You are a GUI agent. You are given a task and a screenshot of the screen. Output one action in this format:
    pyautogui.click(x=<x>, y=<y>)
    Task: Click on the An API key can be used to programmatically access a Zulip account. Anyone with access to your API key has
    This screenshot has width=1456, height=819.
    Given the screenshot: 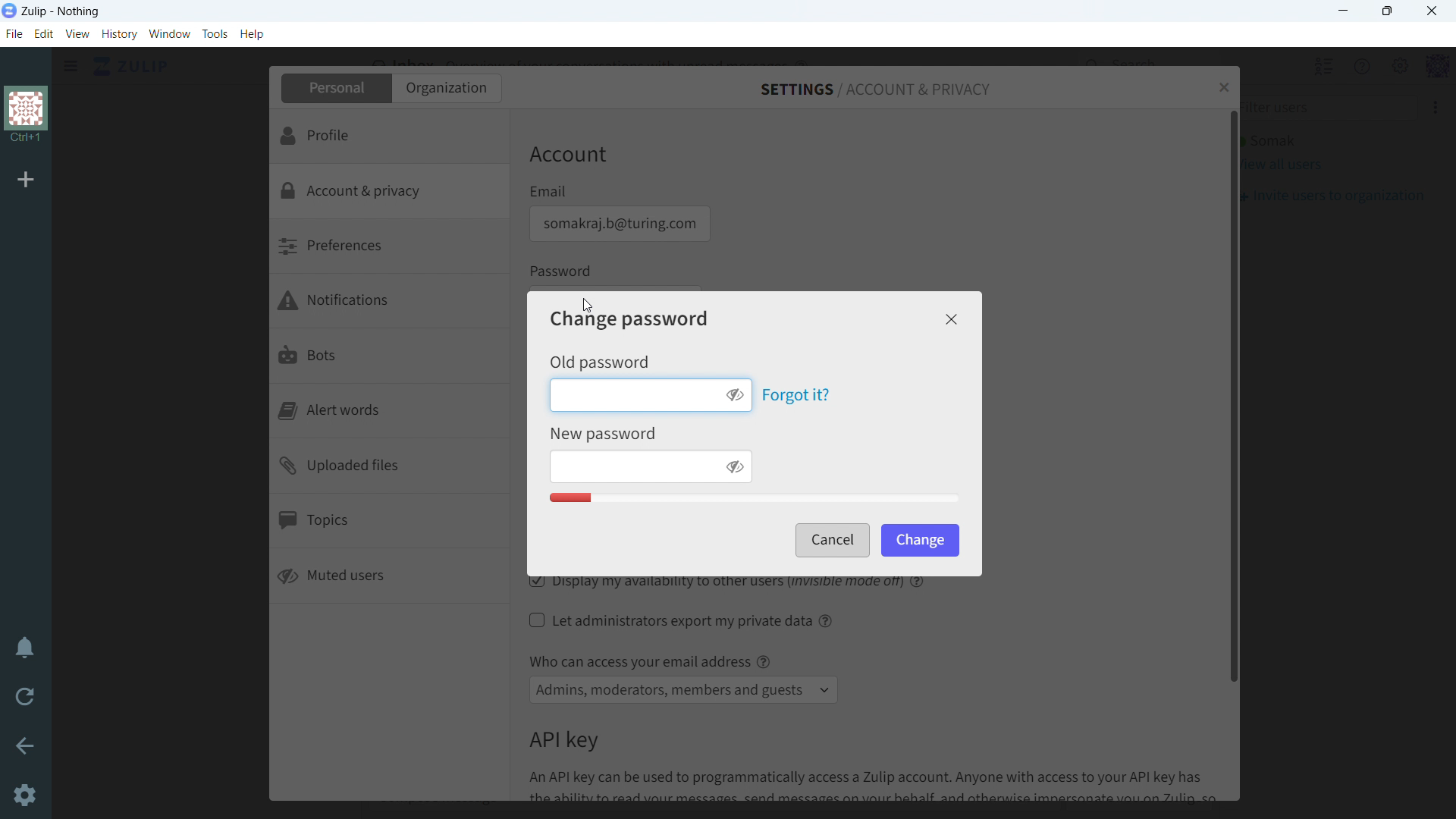 What is the action you would take?
    pyautogui.click(x=880, y=785)
    